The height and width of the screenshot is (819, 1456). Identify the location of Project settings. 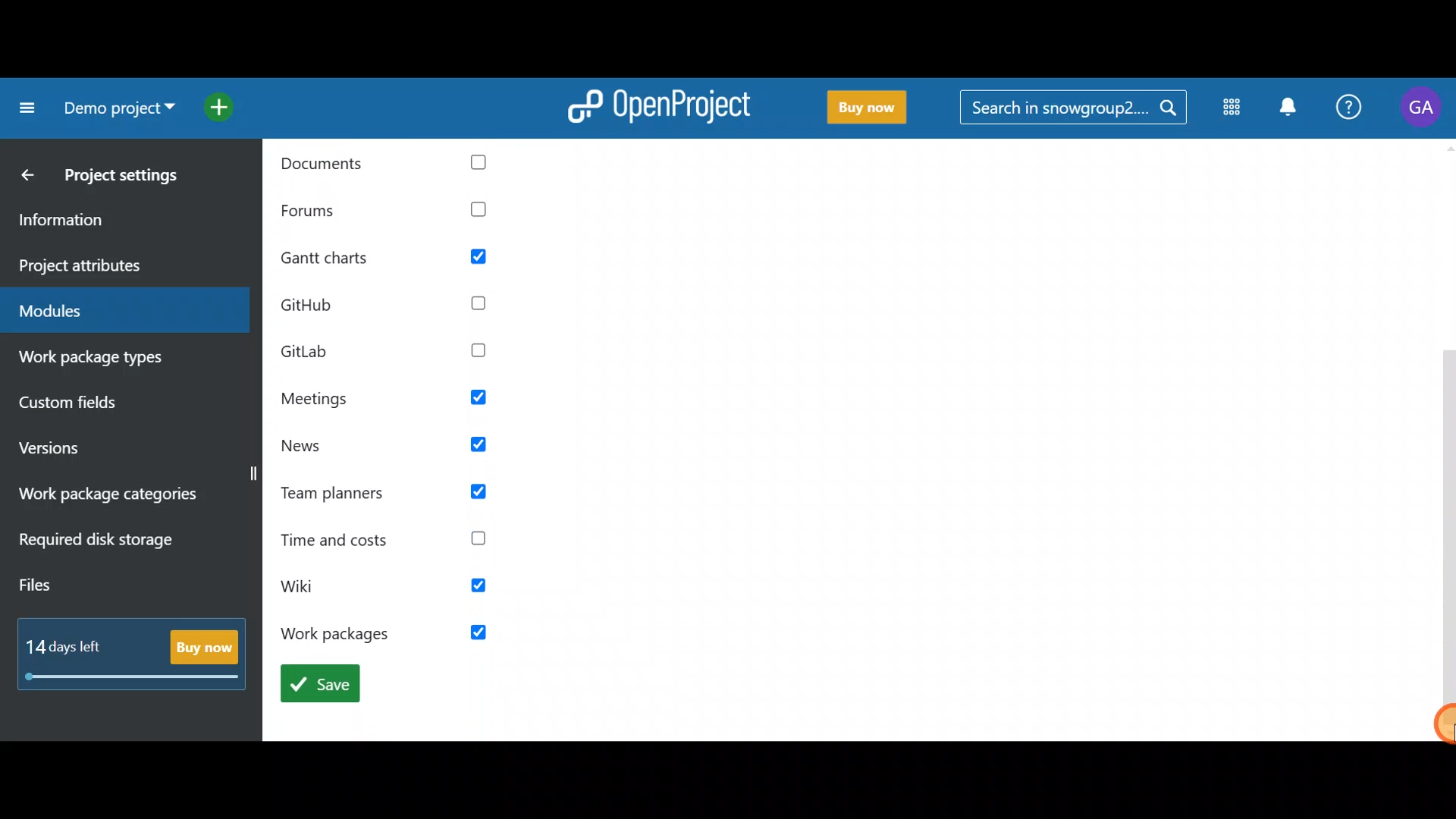
(129, 179).